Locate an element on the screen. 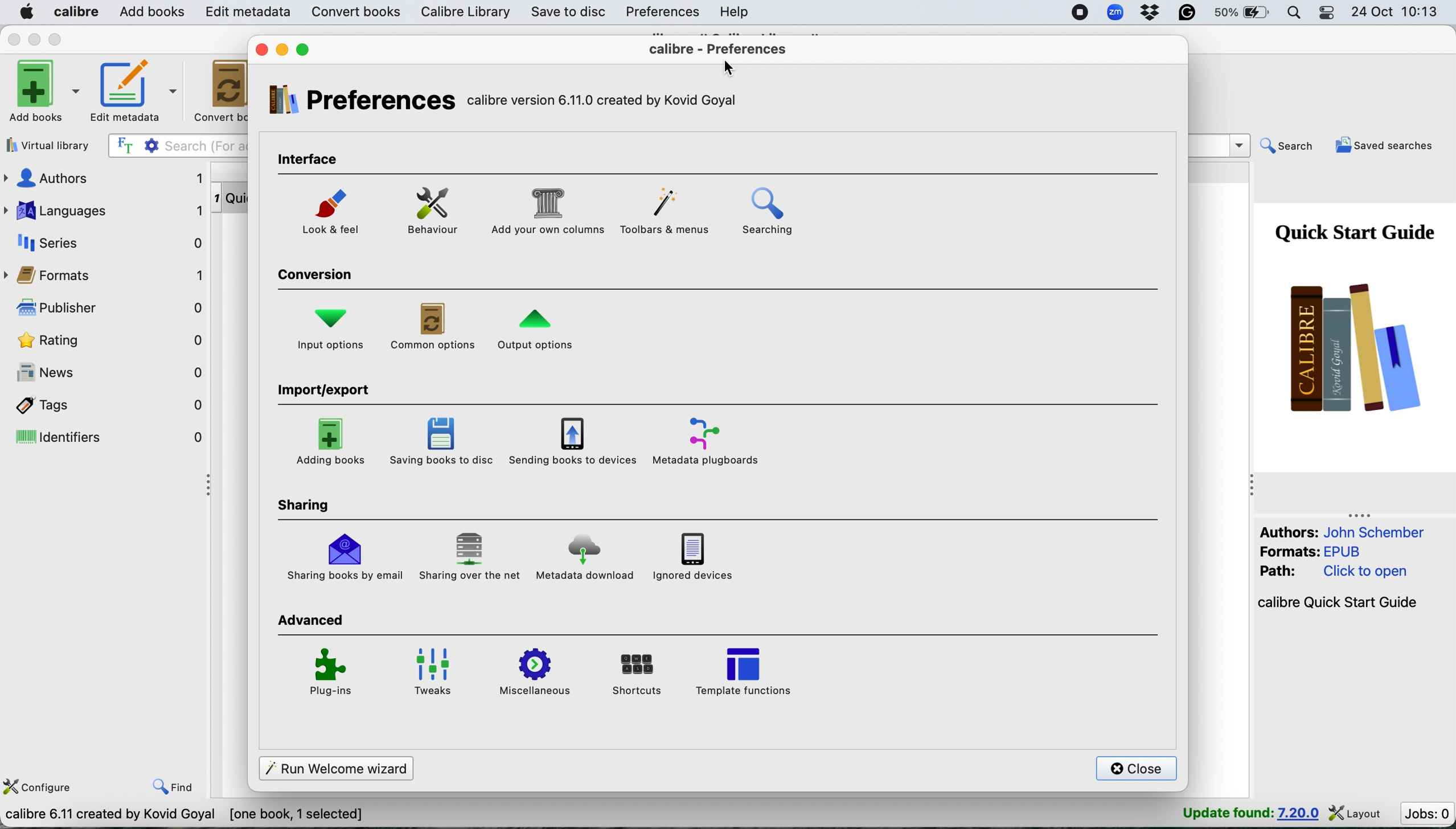 The image size is (1456, 829). sharing books by email is located at coordinates (346, 560).